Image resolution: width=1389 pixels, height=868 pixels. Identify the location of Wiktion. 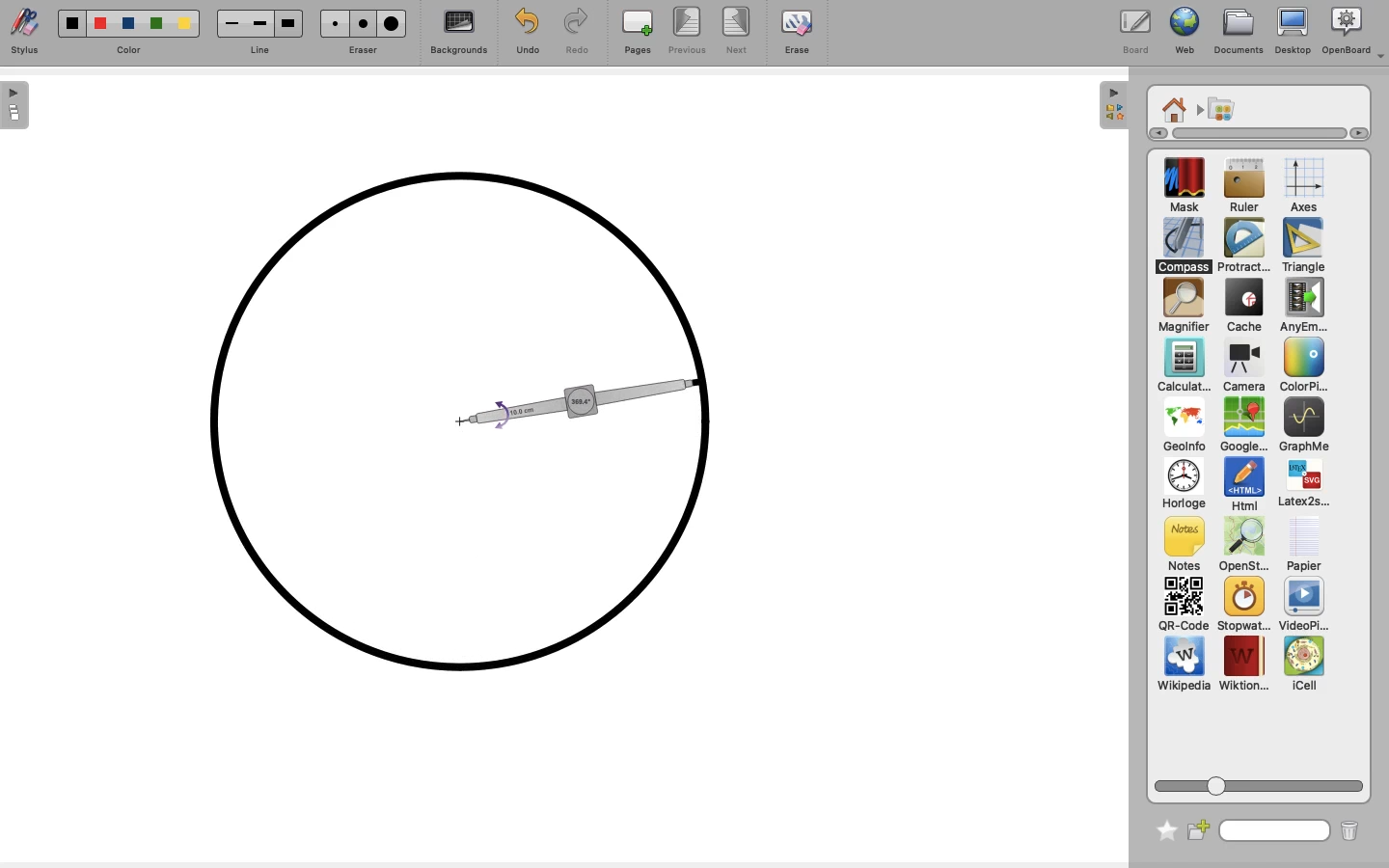
(1244, 665).